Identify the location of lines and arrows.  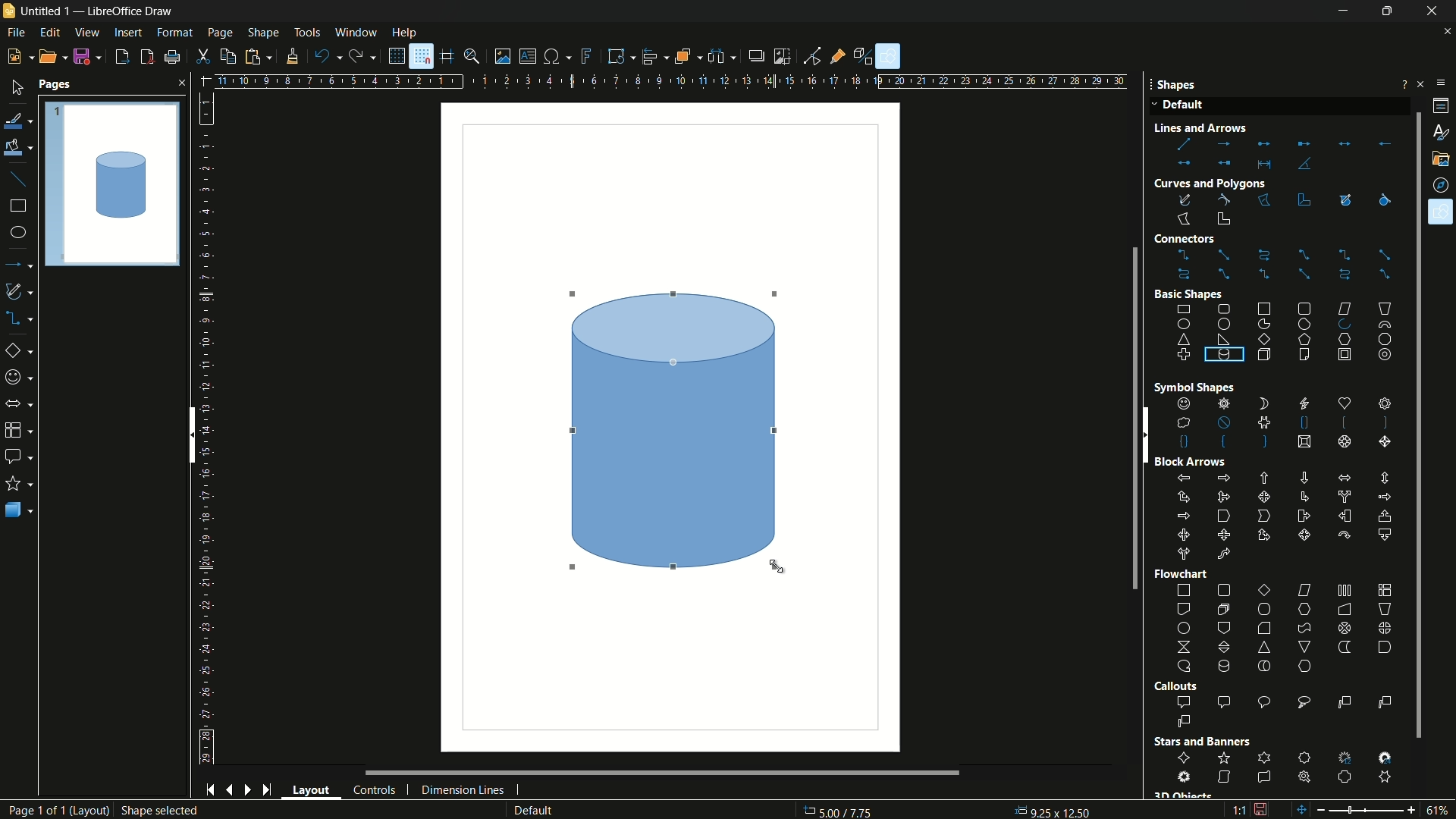
(20, 264).